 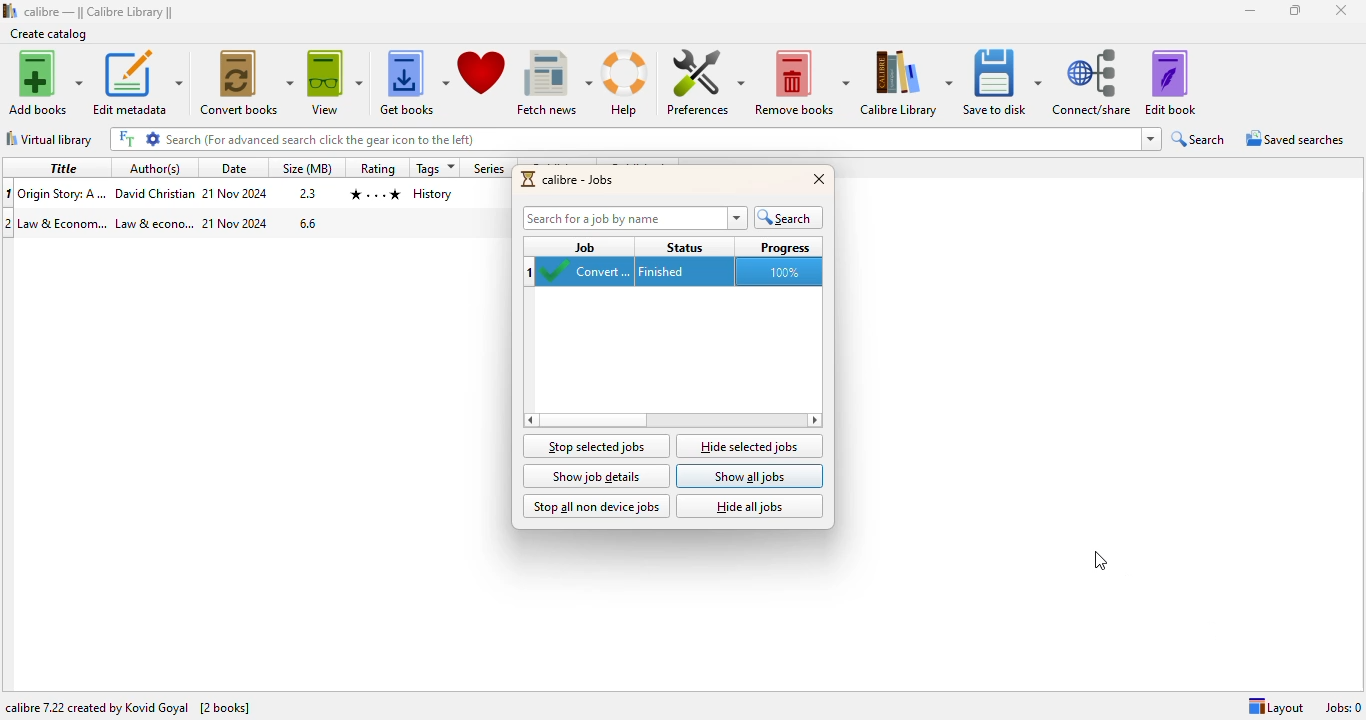 I want to click on settings, so click(x=151, y=138).